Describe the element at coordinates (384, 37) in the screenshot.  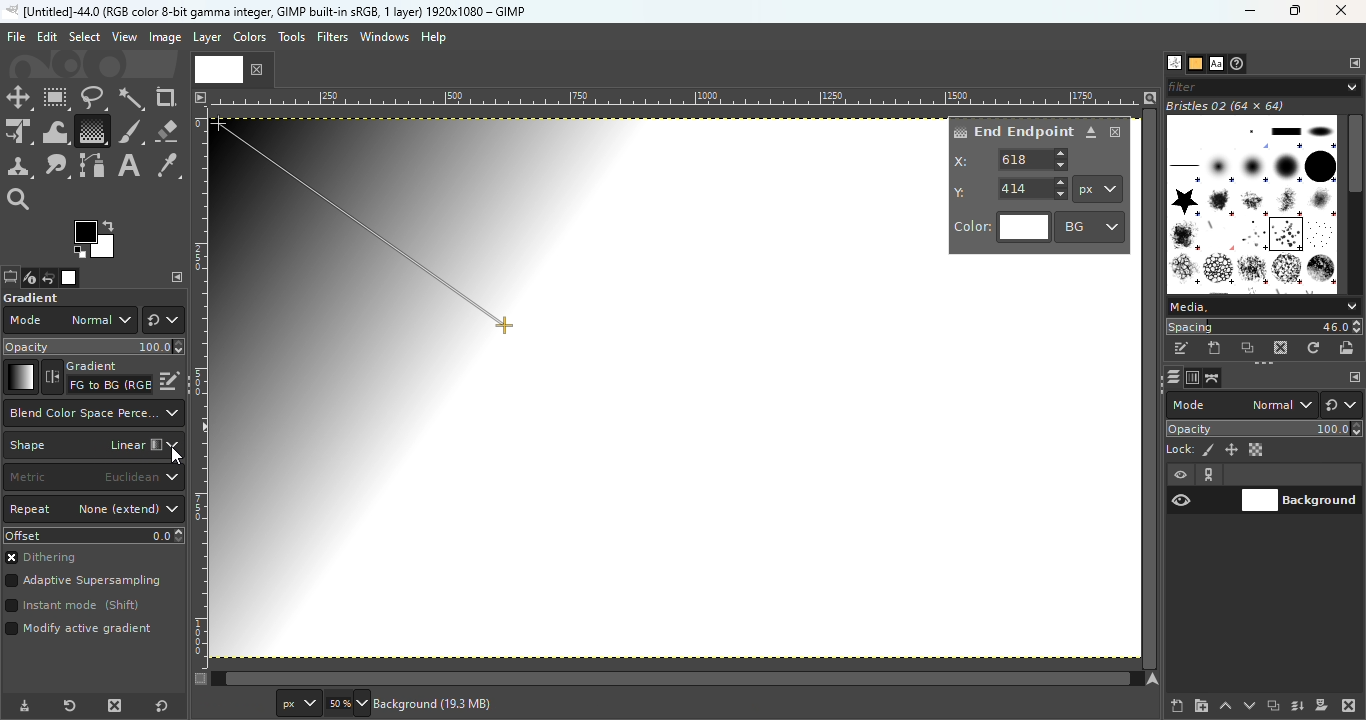
I see `Windows` at that location.